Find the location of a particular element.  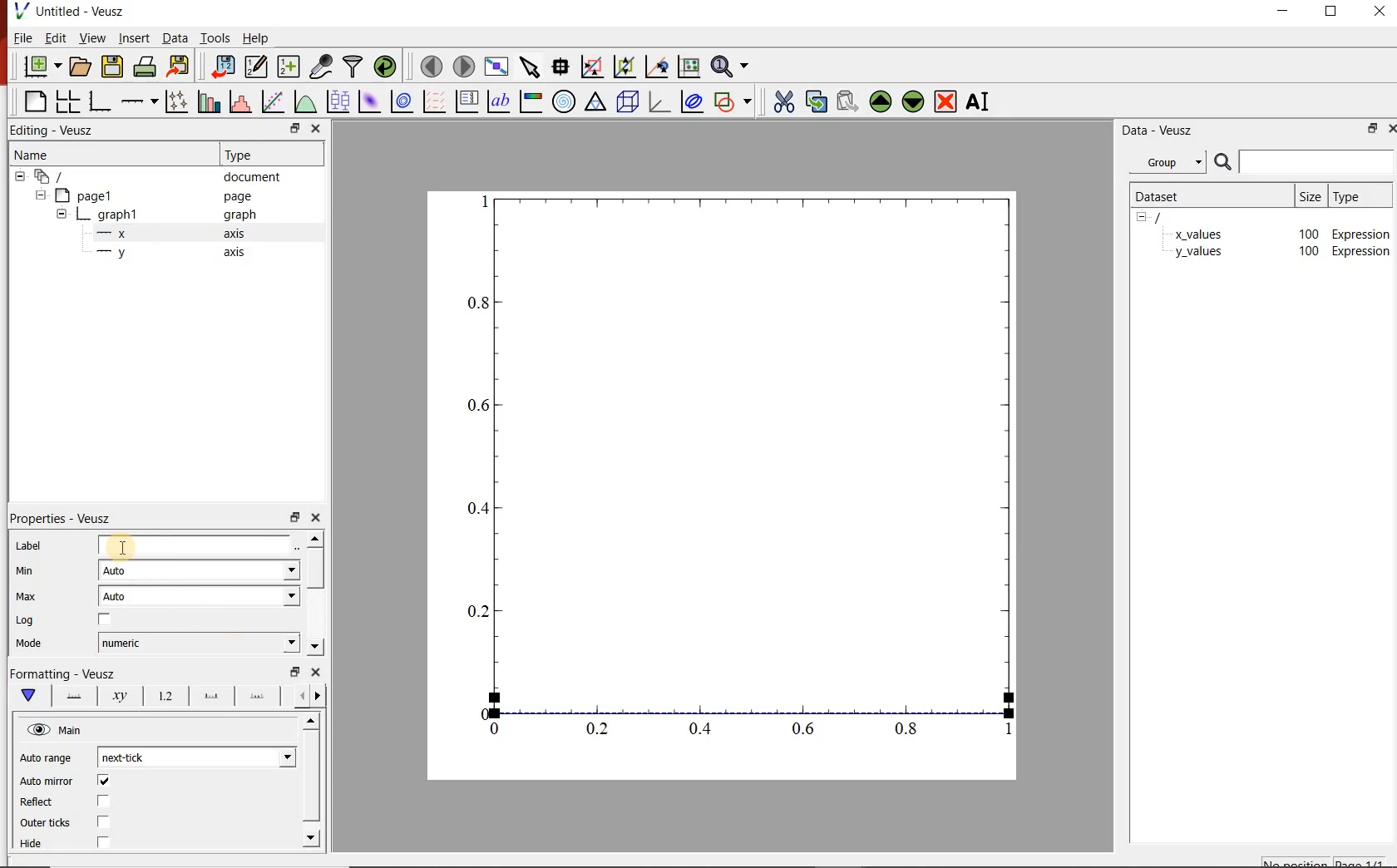

next options is located at coordinates (300, 696).